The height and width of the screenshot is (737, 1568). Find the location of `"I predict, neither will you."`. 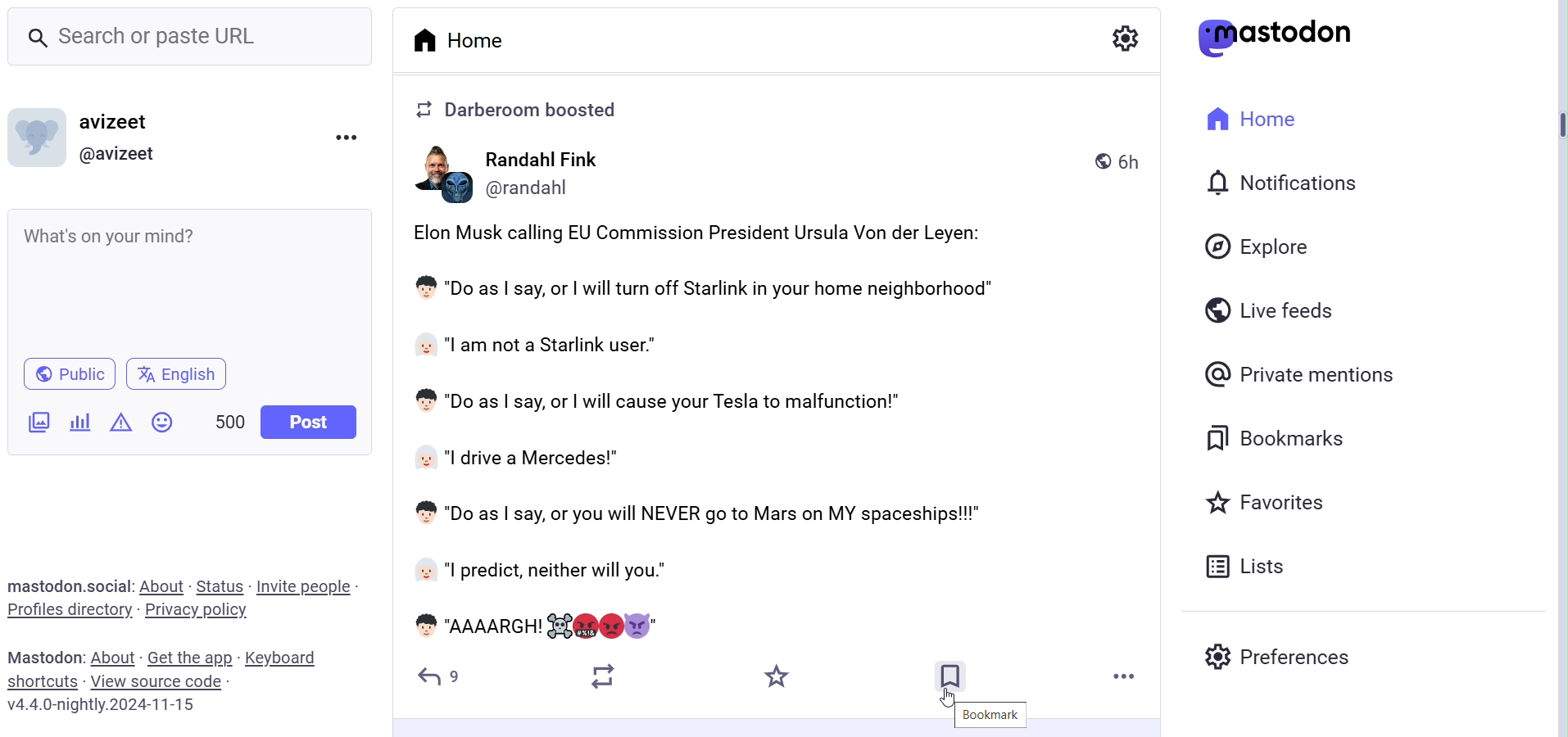

"I predict, neither will you." is located at coordinates (600, 571).